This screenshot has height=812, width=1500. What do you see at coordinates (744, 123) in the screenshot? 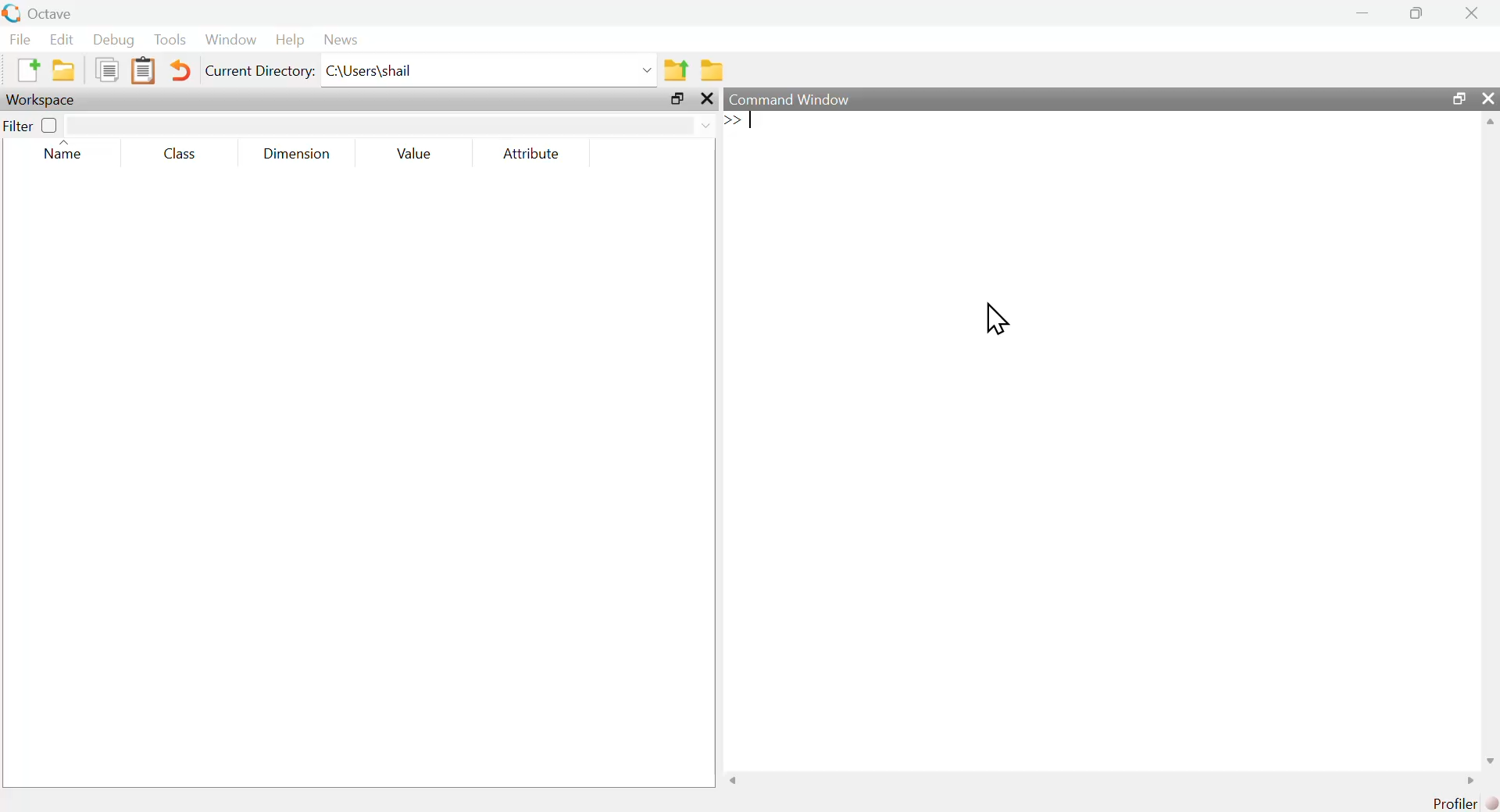
I see `typing cursor` at bounding box center [744, 123].